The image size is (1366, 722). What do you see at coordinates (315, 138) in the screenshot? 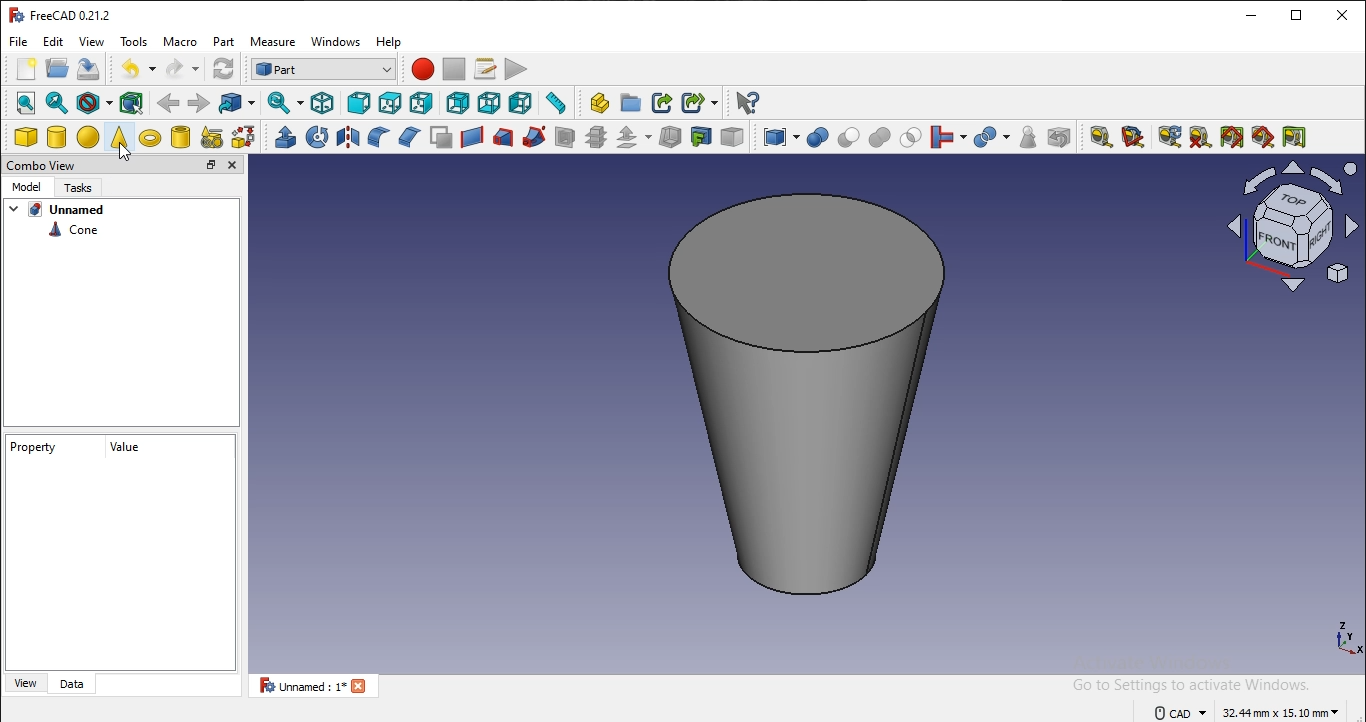
I see `revolve` at bounding box center [315, 138].